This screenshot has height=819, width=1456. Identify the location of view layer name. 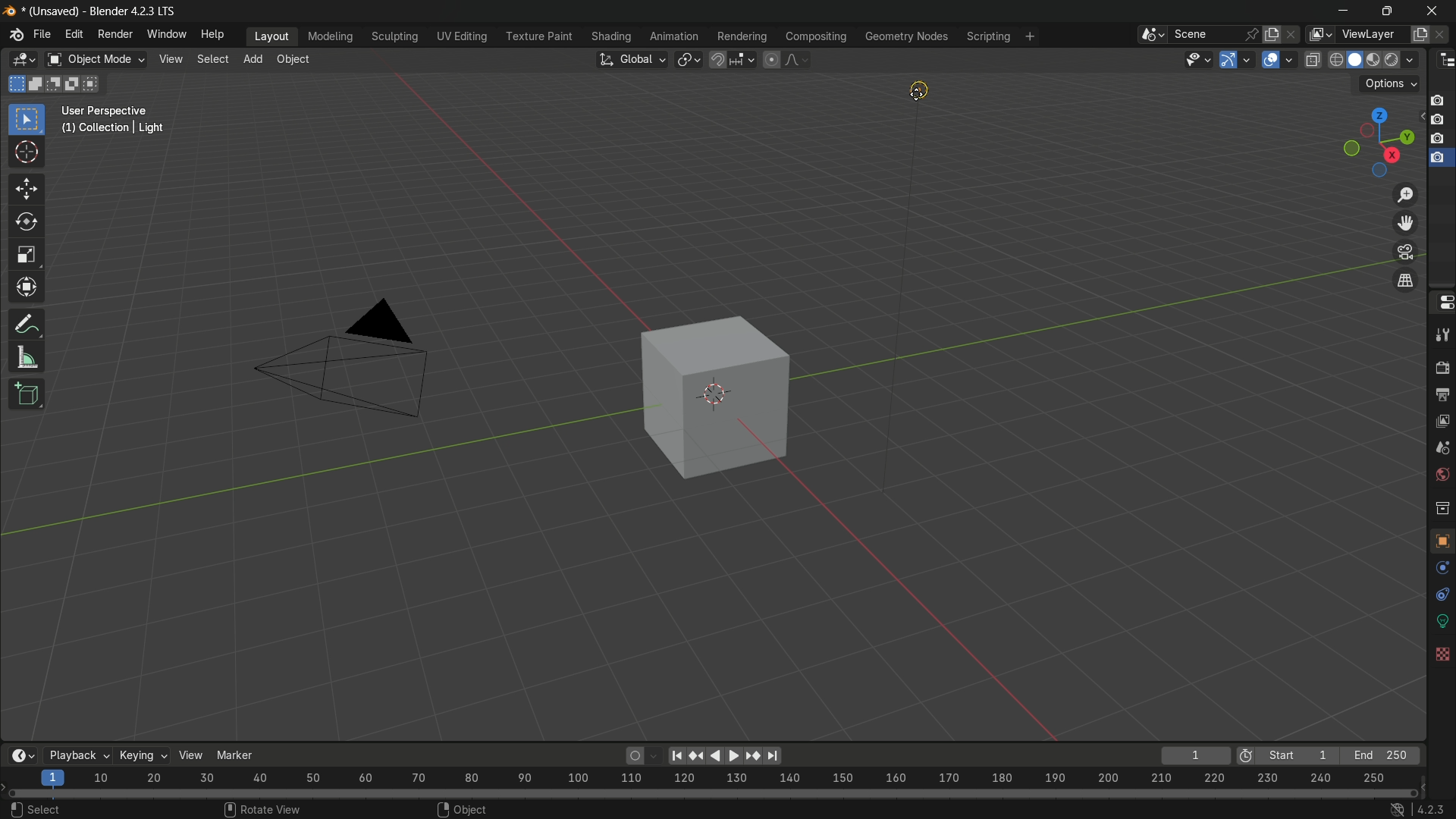
(1370, 34).